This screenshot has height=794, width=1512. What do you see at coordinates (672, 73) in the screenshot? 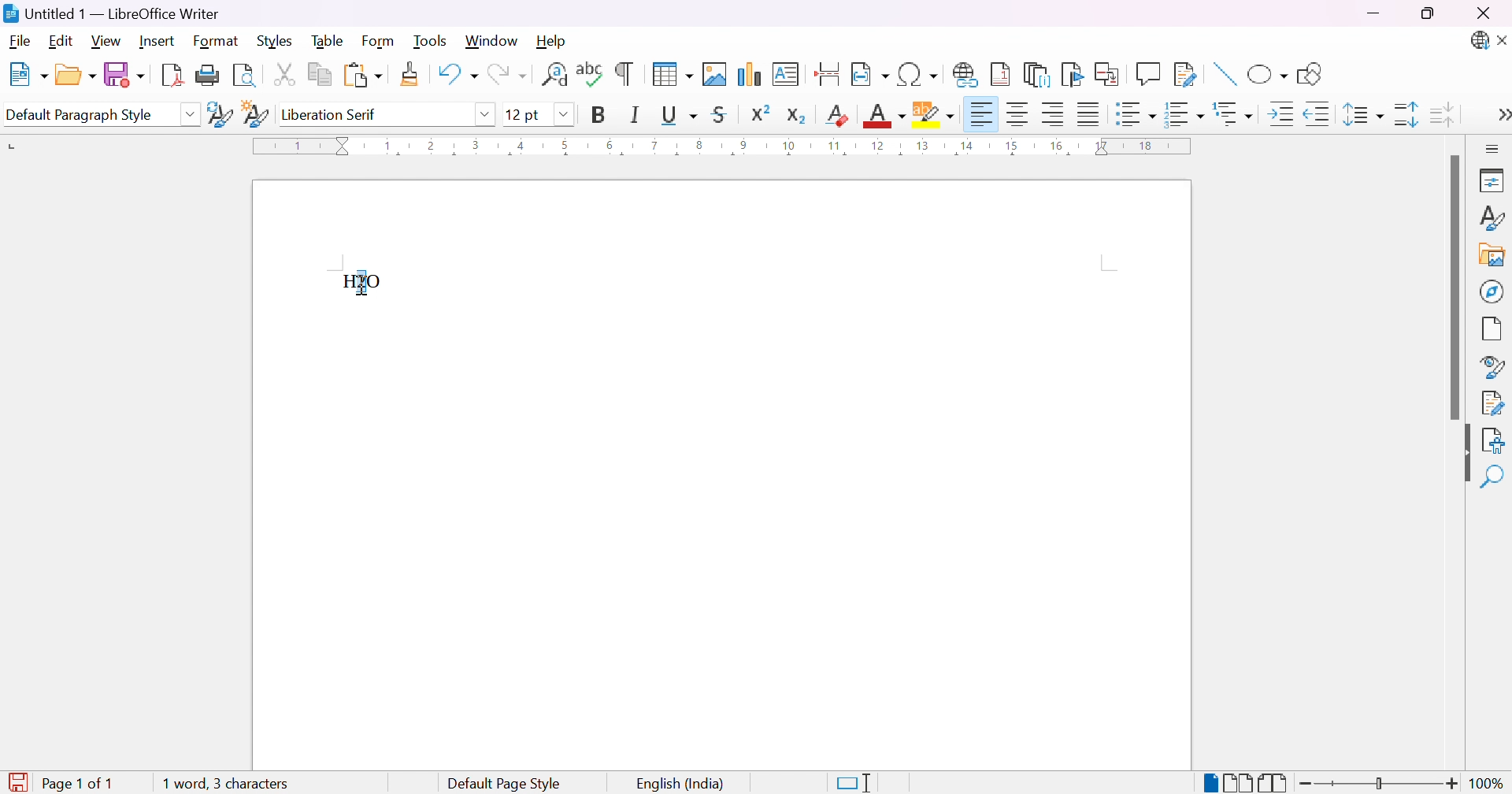
I see `Insert table` at bounding box center [672, 73].